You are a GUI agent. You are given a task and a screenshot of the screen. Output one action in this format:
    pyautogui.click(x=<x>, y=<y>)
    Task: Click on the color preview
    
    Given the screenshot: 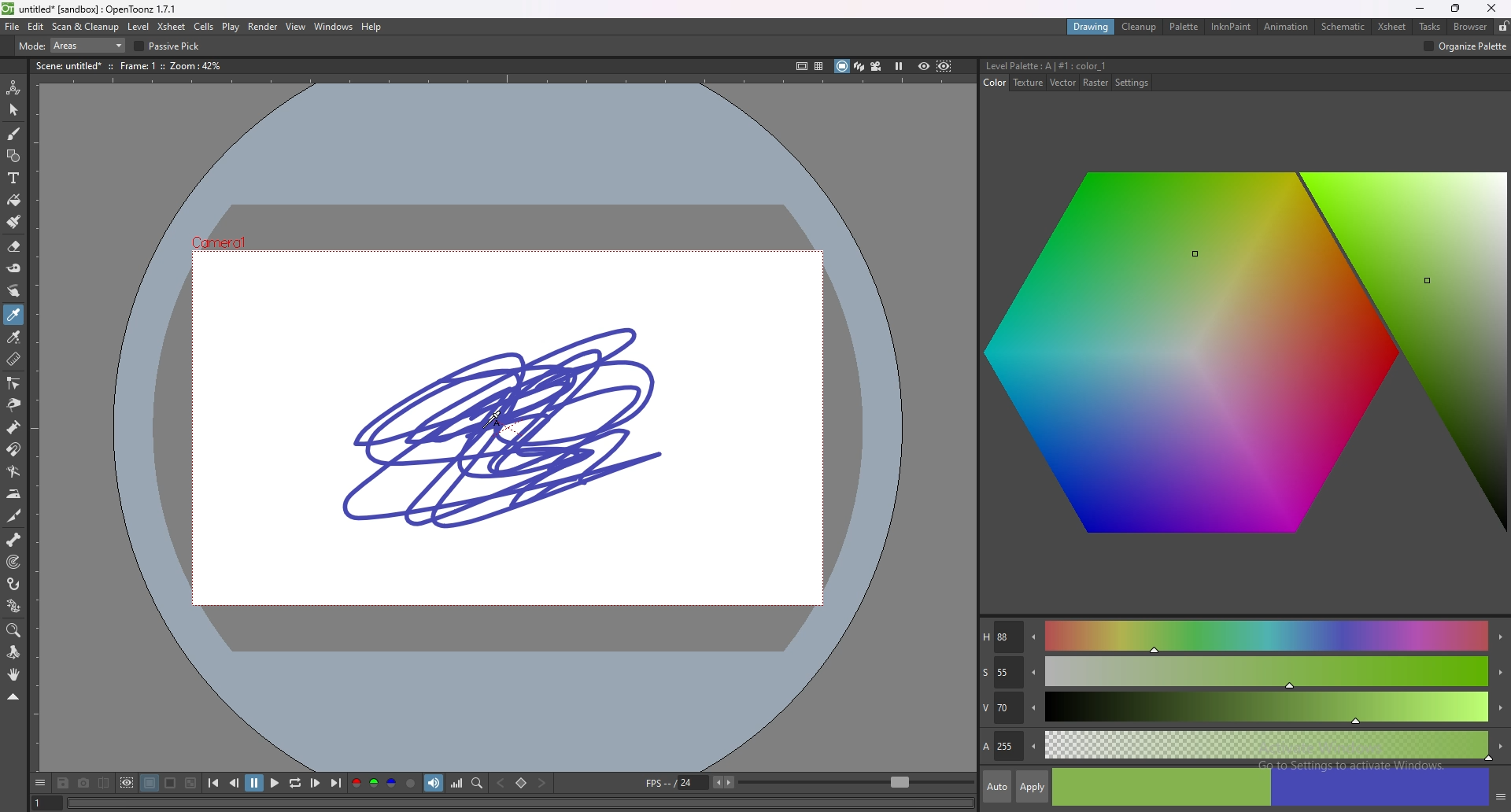 What is the action you would take?
    pyautogui.click(x=1270, y=788)
    